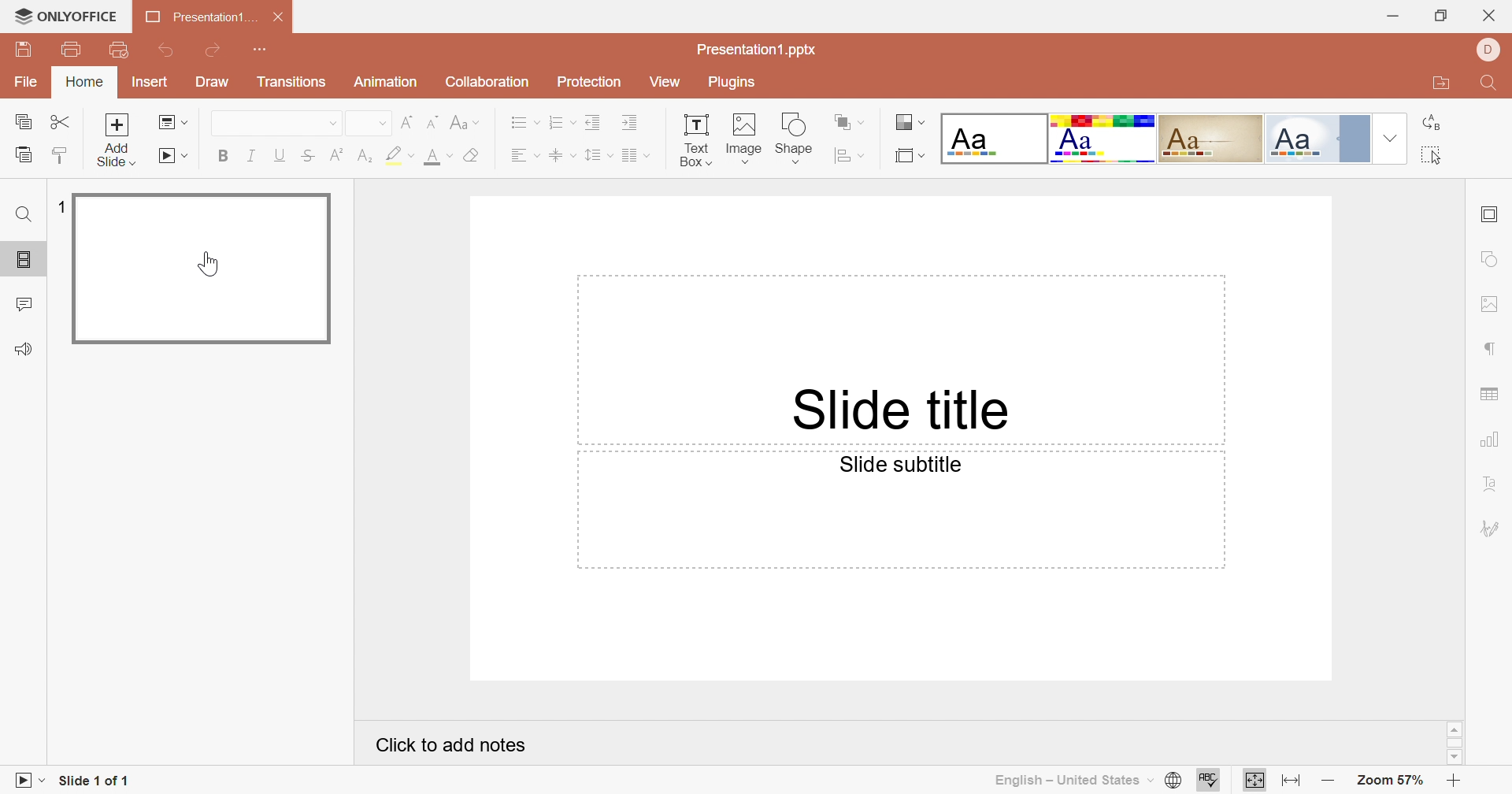 This screenshot has width=1512, height=794. Describe the element at coordinates (436, 157) in the screenshot. I see `Font color` at that location.